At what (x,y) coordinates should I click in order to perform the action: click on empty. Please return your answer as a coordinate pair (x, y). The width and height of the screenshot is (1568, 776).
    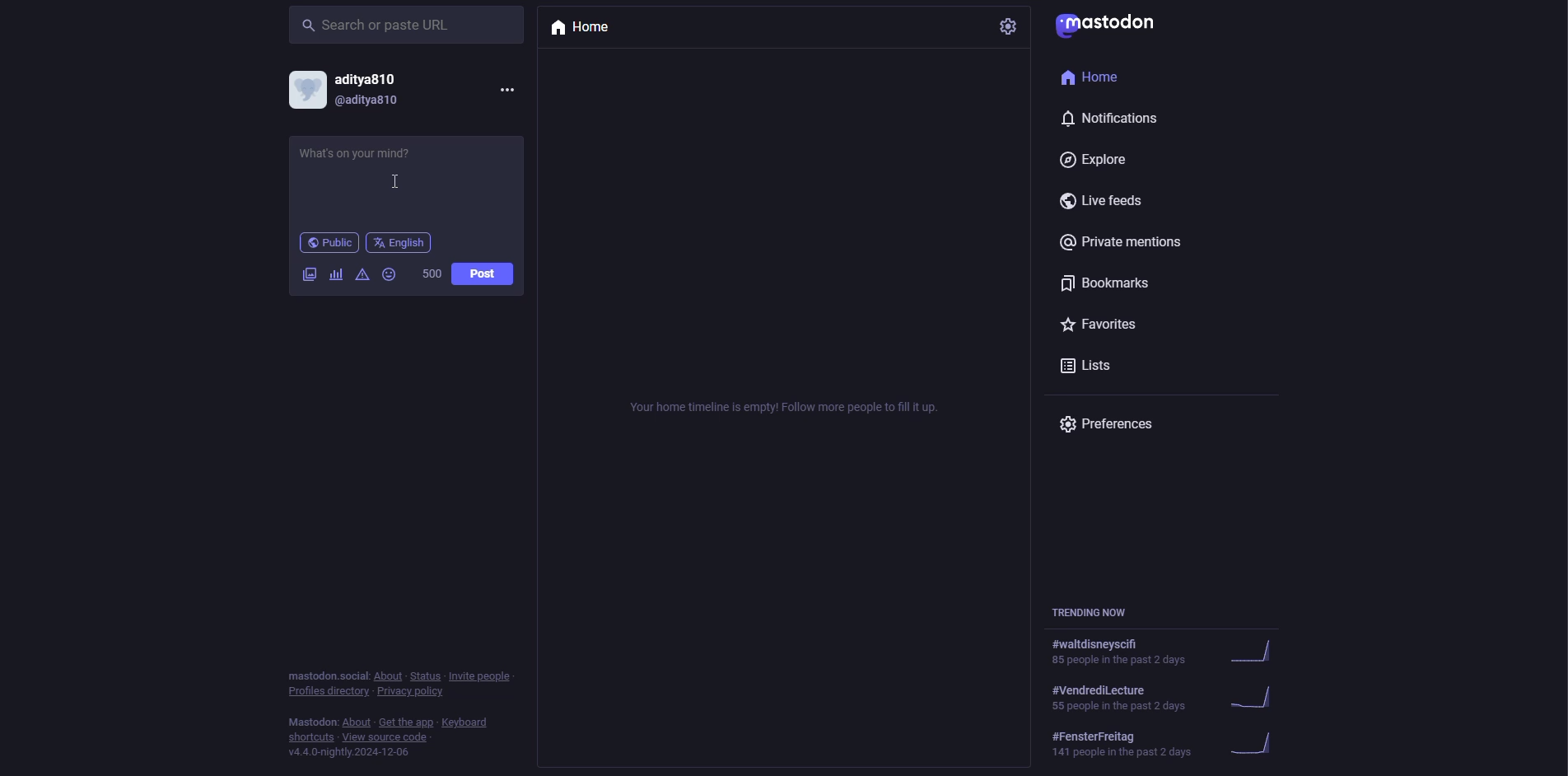
    Looking at the image, I should click on (786, 404).